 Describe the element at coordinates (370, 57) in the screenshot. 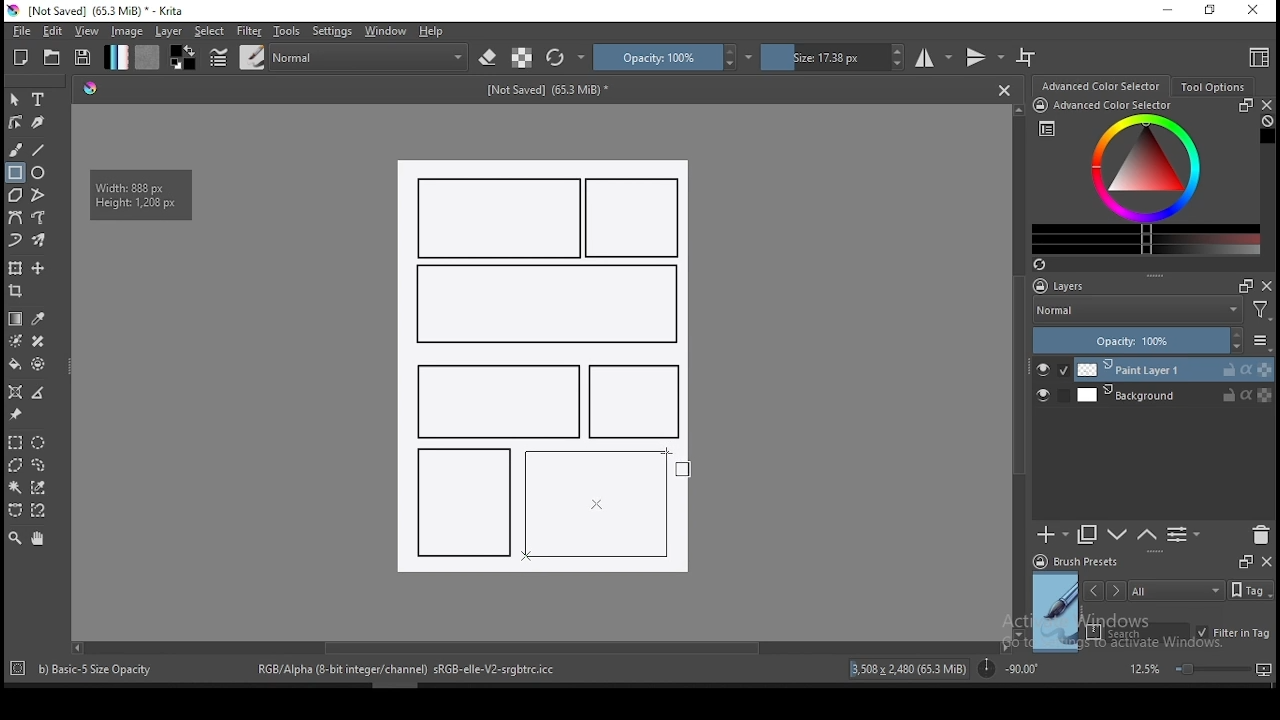

I see `blending mode` at that location.